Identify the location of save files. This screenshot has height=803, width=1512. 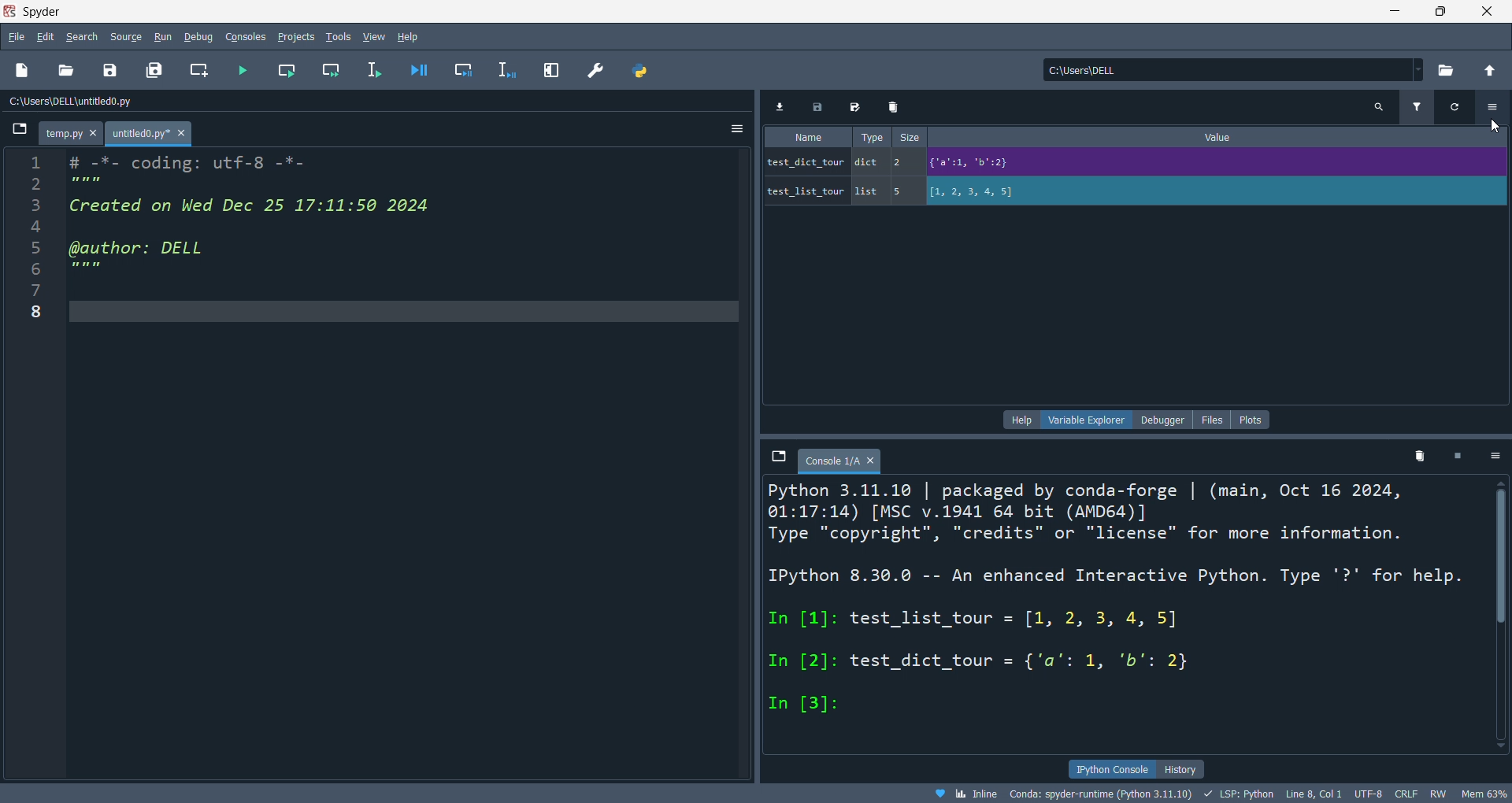
(155, 71).